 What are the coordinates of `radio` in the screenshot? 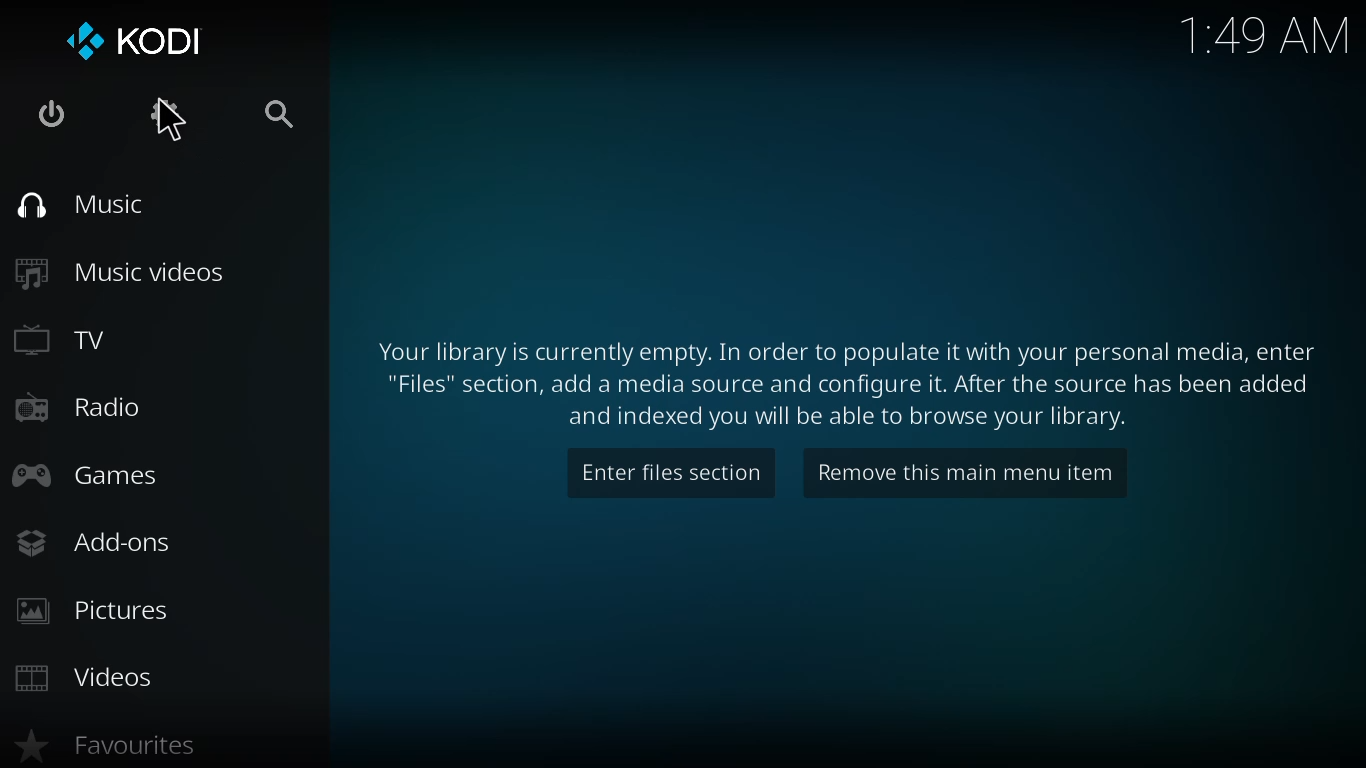 It's located at (77, 405).